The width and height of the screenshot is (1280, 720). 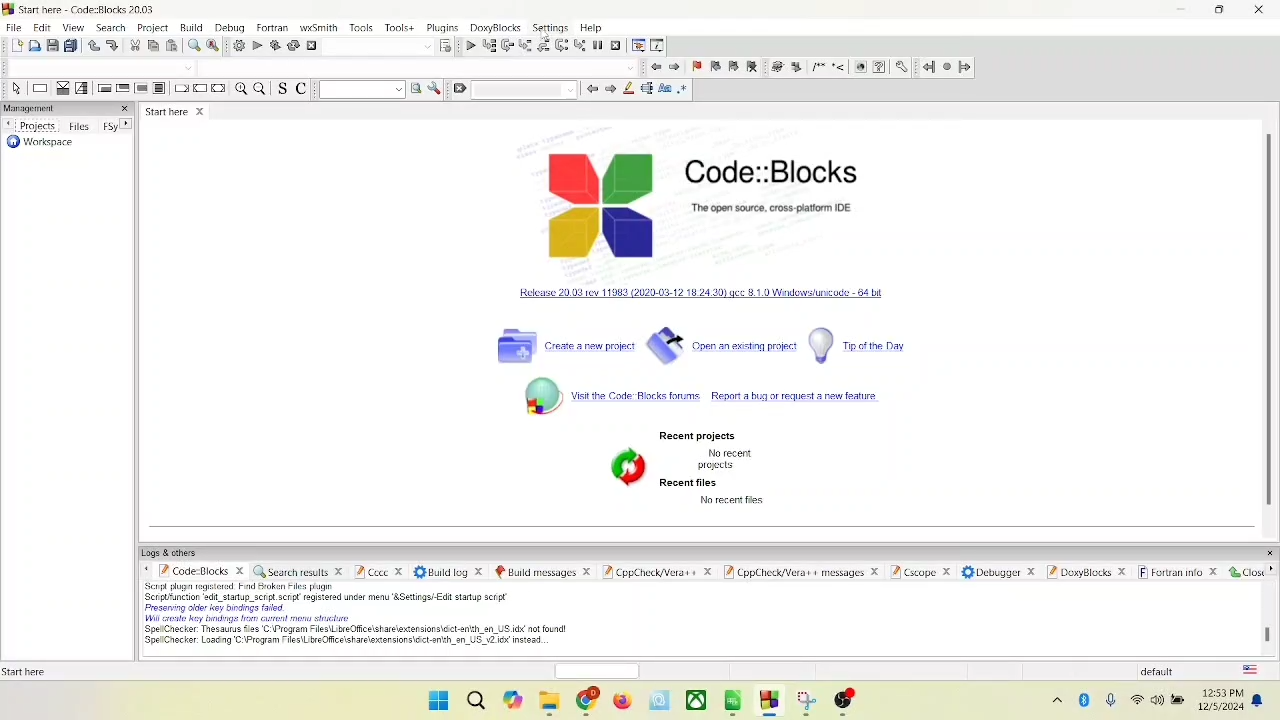 I want to click on clear bookmark, so click(x=751, y=65).